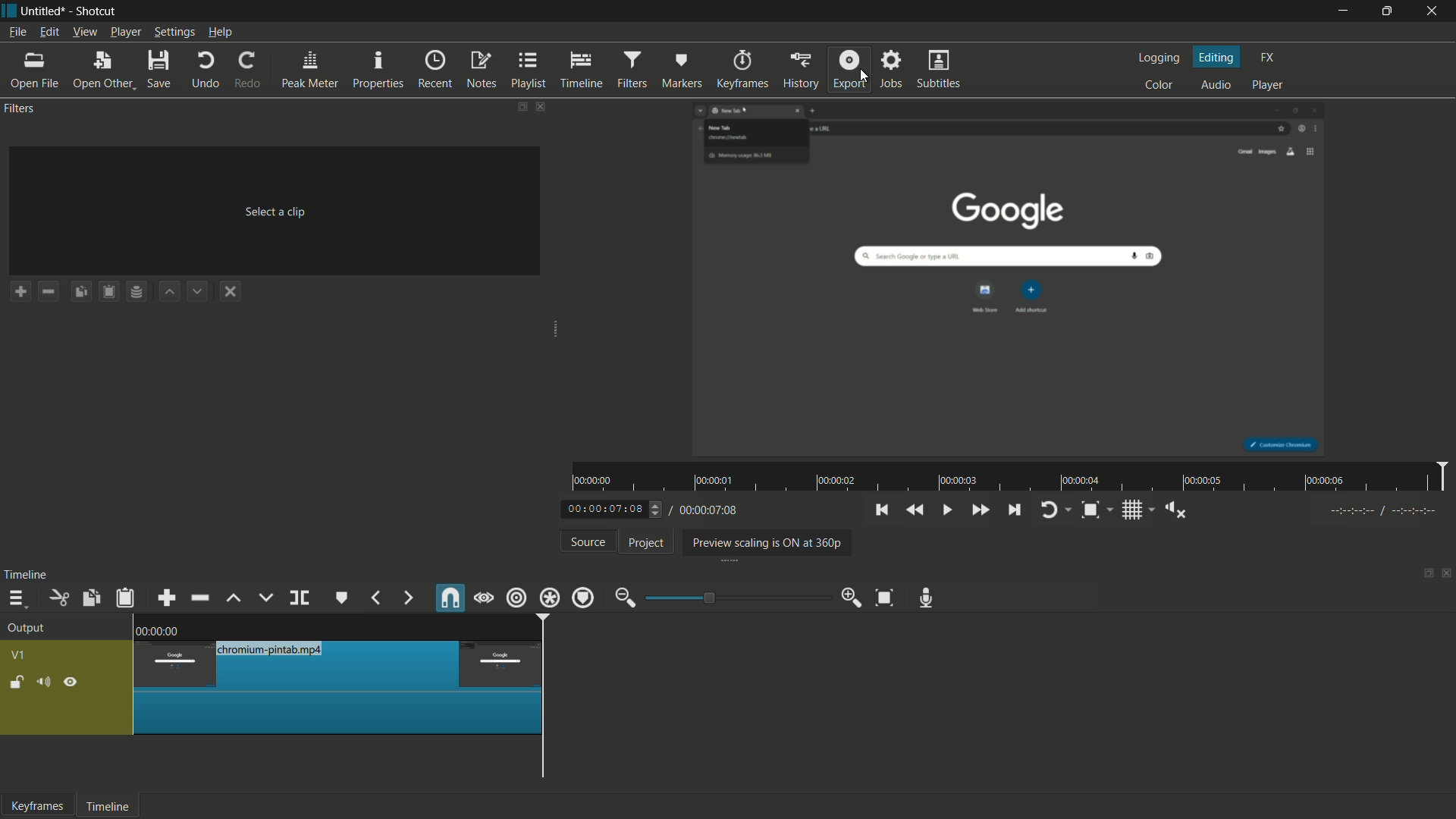 The height and width of the screenshot is (819, 1456). I want to click on edit menu, so click(48, 32).